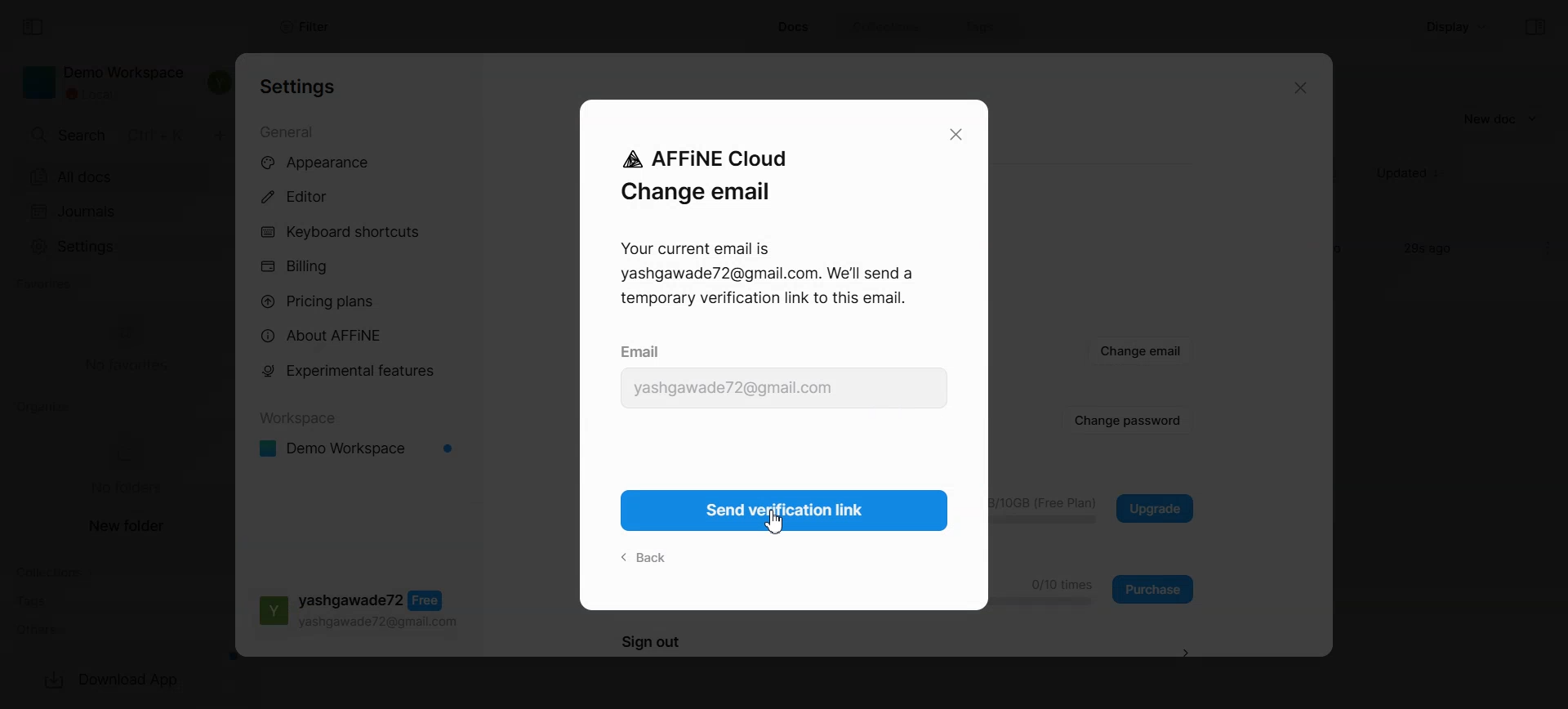  Describe the element at coordinates (361, 233) in the screenshot. I see `Keyboard shortcuts` at that location.